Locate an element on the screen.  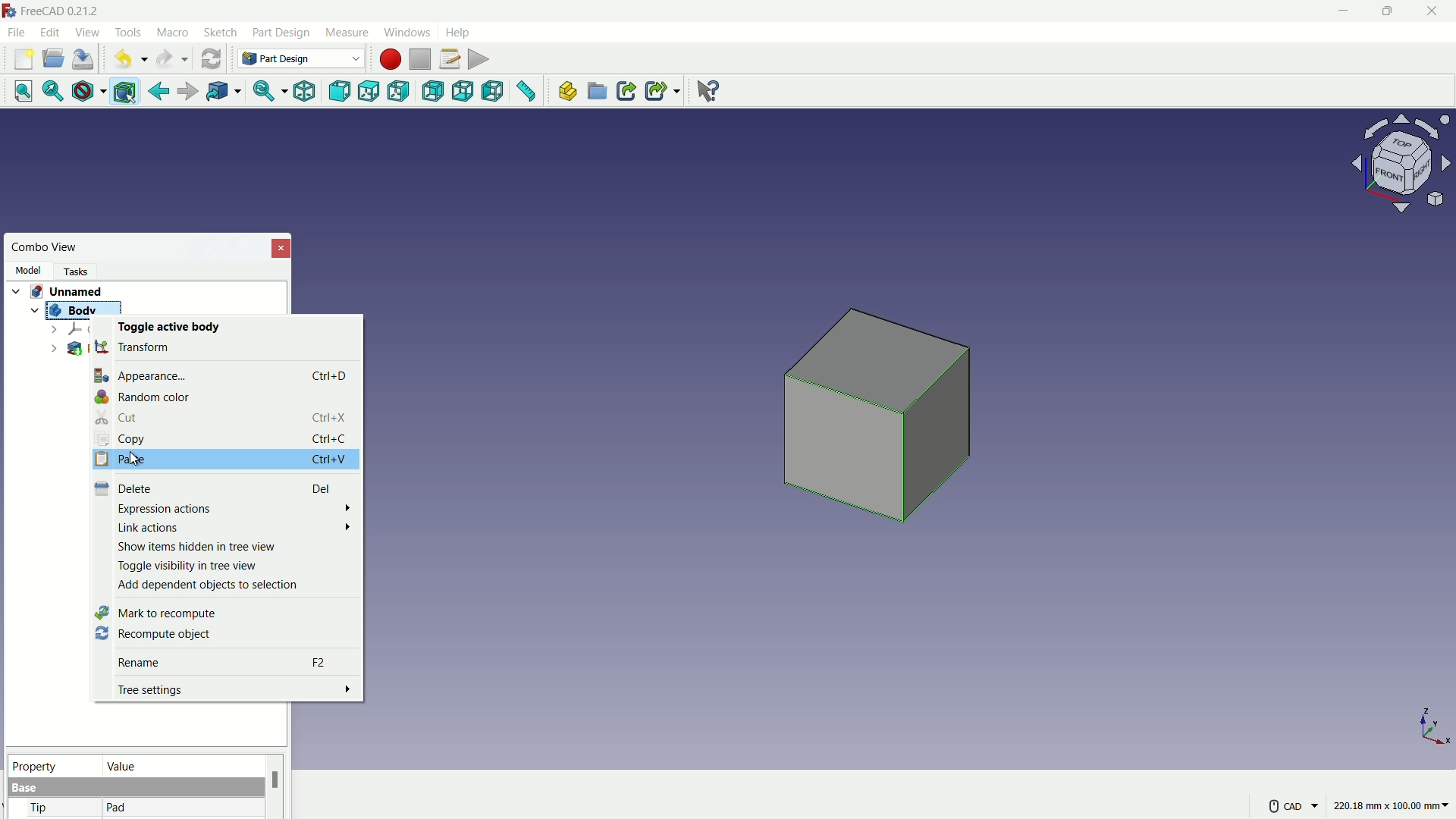
Part Design is located at coordinates (301, 58).